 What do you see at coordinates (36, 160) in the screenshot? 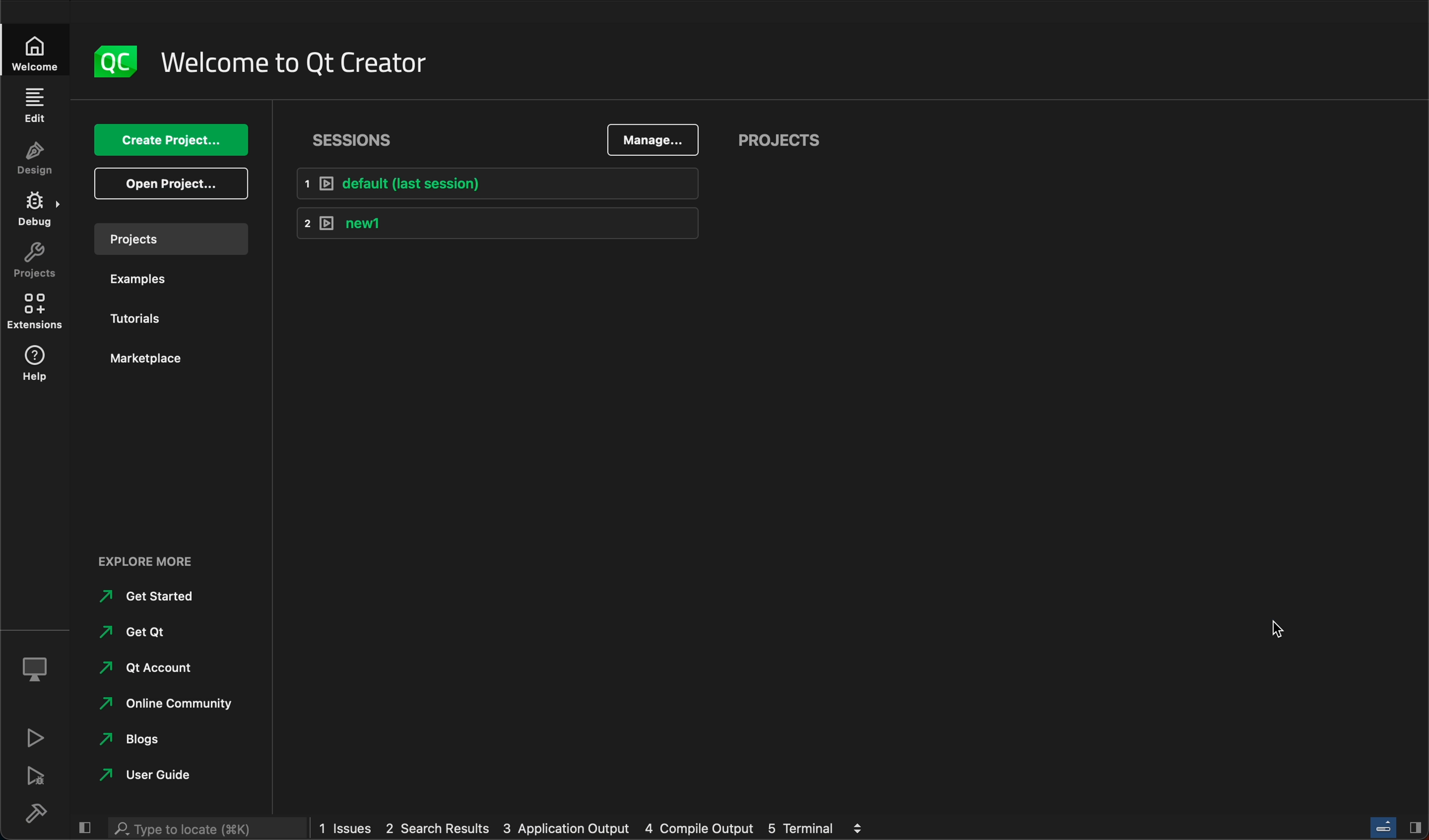
I see `design` at bounding box center [36, 160].